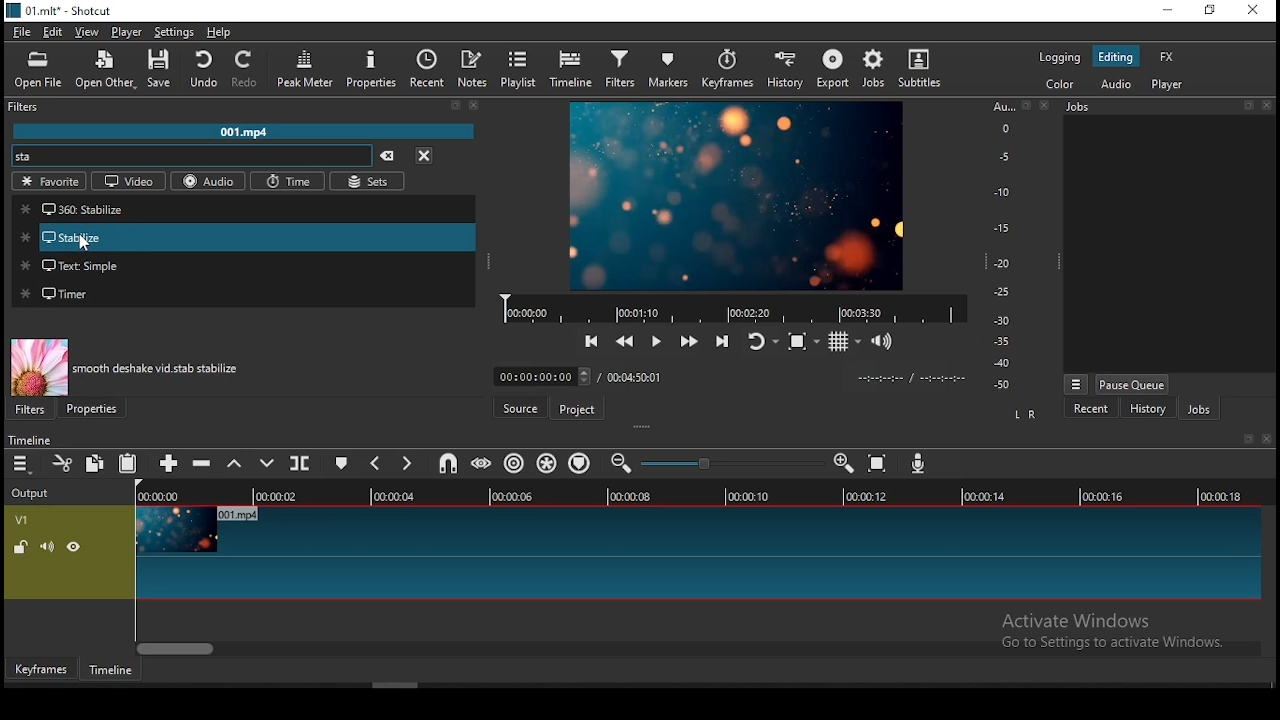  I want to click on 01.mlt - Shortcut, so click(60, 10).